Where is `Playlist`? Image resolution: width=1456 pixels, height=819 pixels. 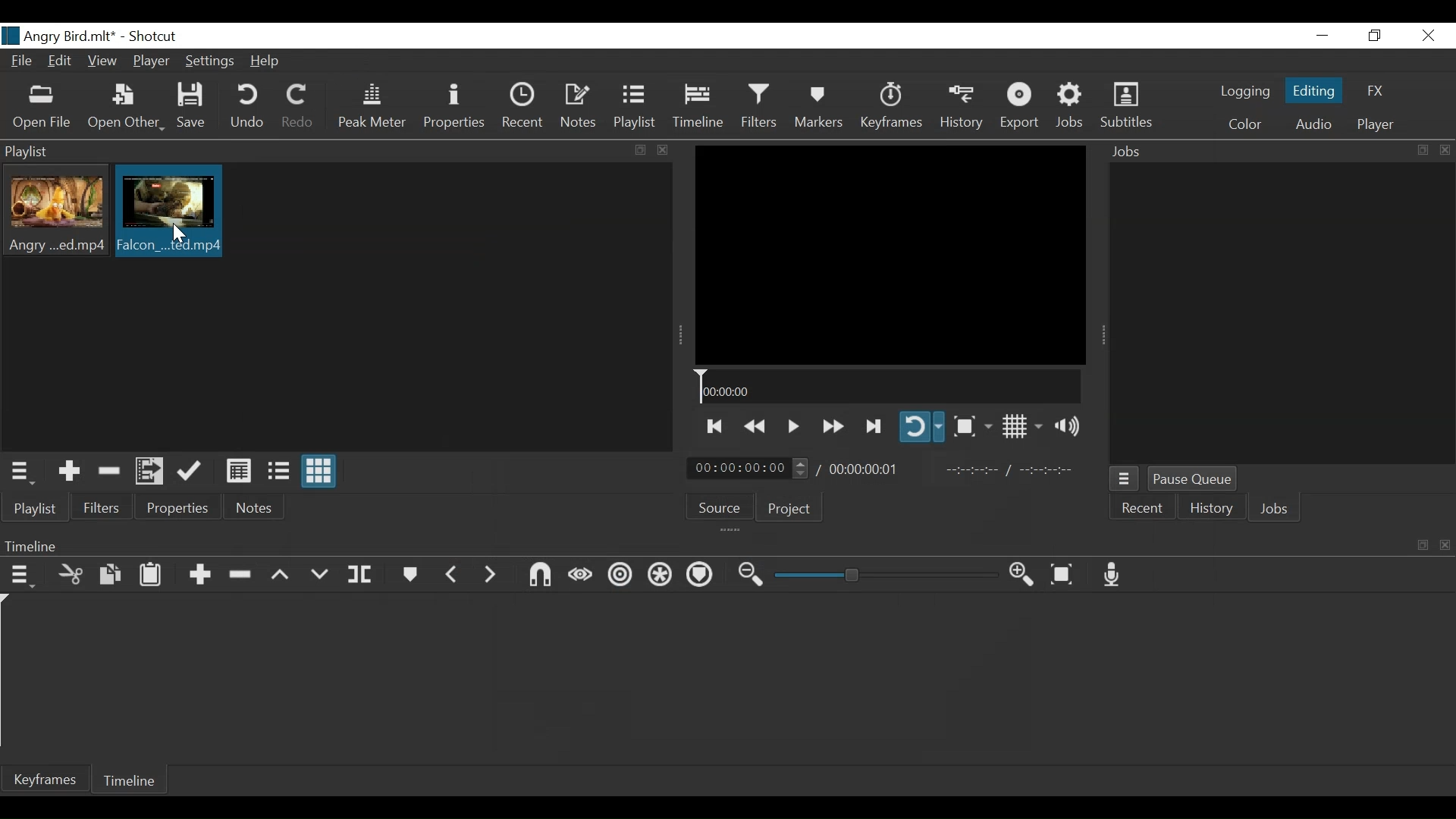 Playlist is located at coordinates (635, 106).